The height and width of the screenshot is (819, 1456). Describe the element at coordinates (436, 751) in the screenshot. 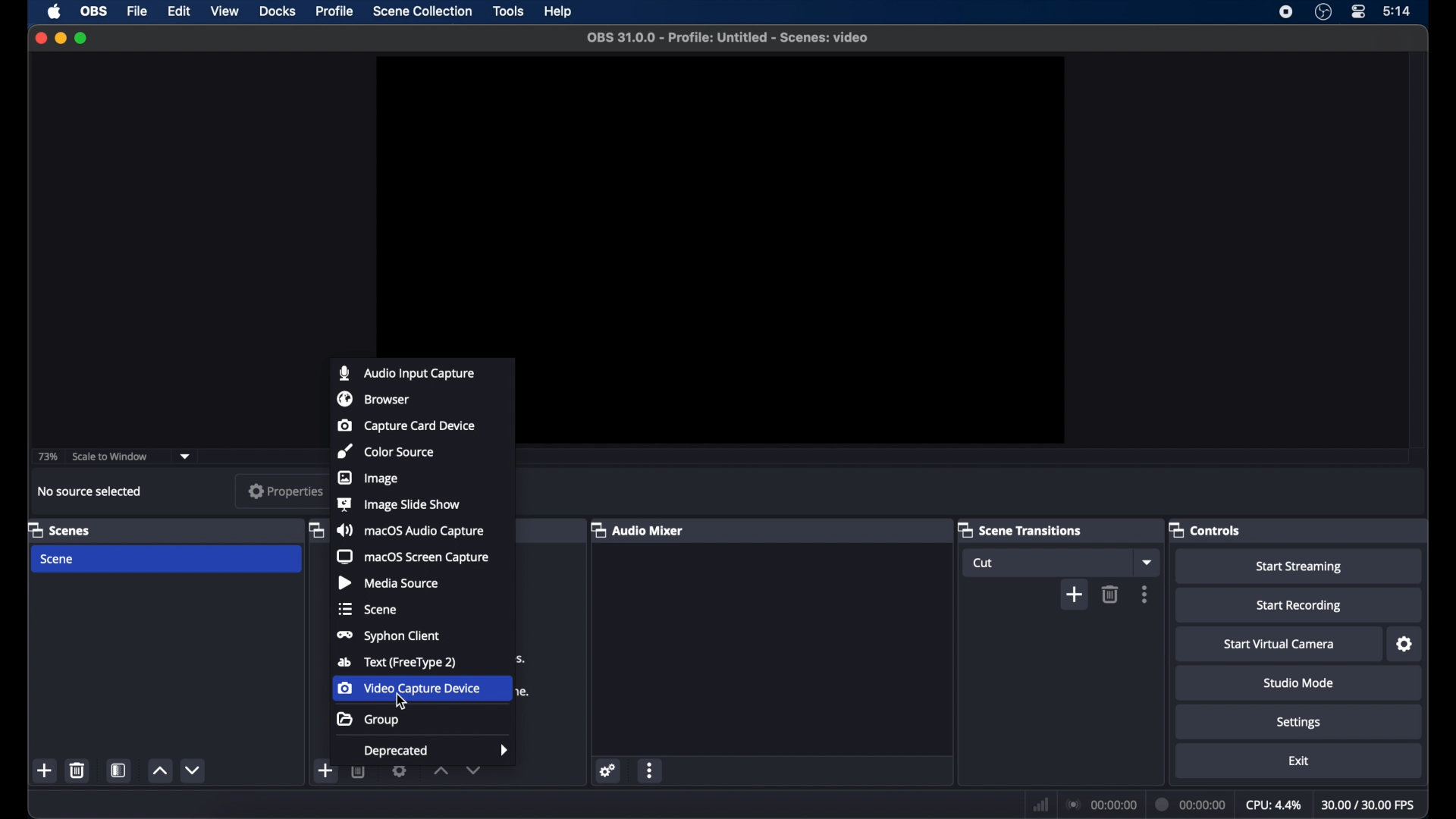

I see `deprecated menu` at that location.